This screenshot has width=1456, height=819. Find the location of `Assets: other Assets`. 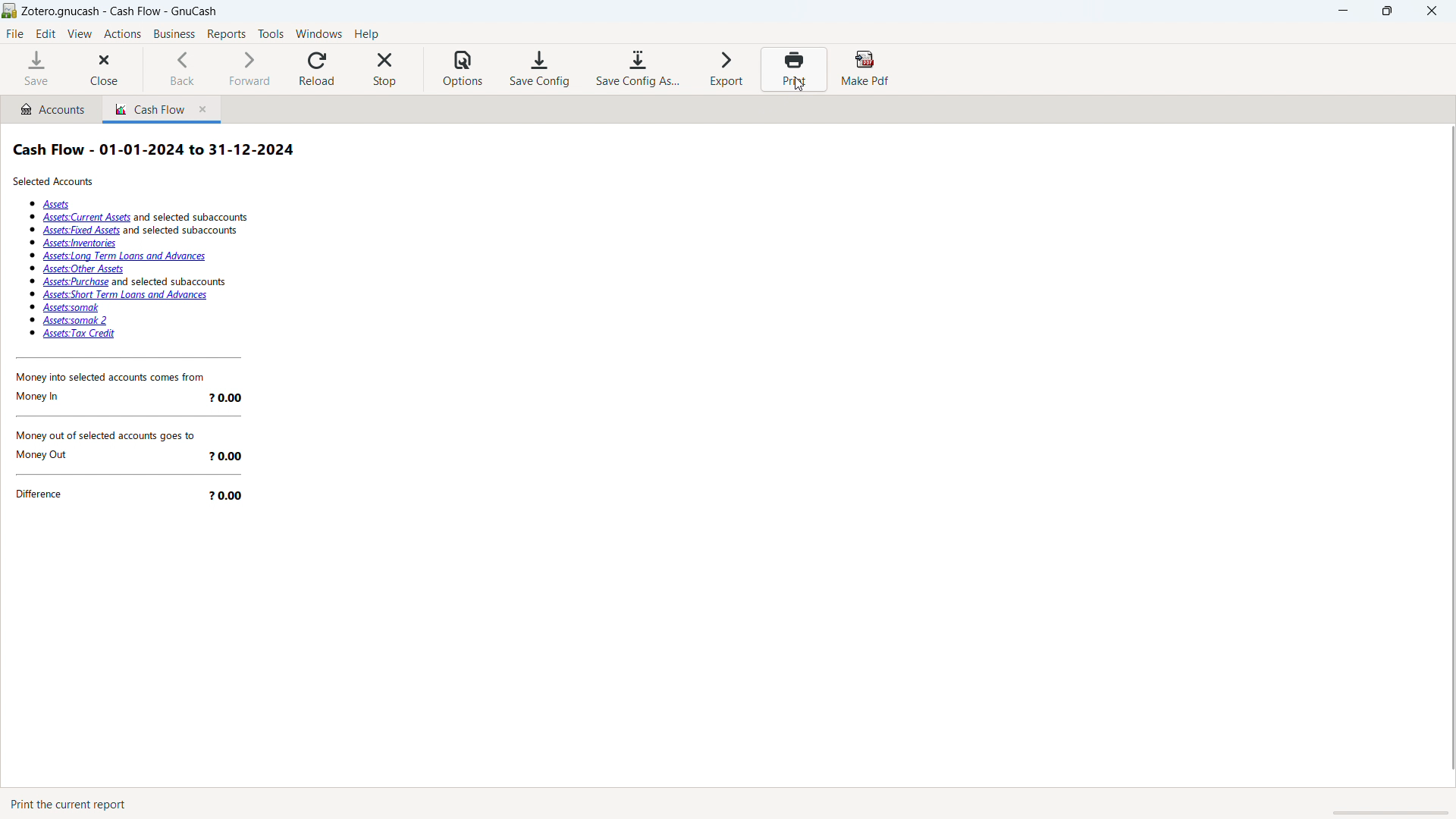

Assets: other Assets is located at coordinates (83, 270).